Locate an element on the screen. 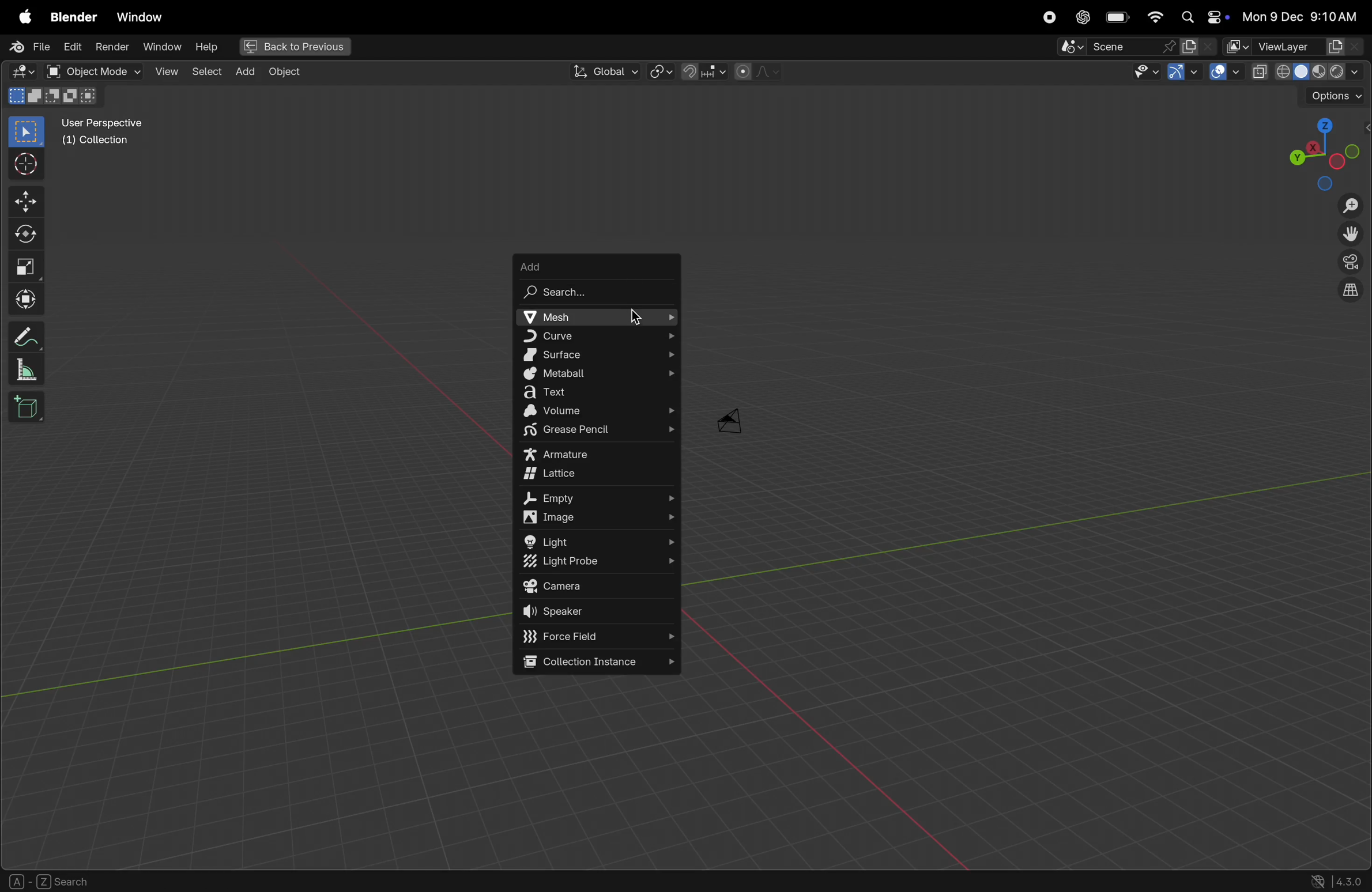  show overlays is located at coordinates (1226, 73).